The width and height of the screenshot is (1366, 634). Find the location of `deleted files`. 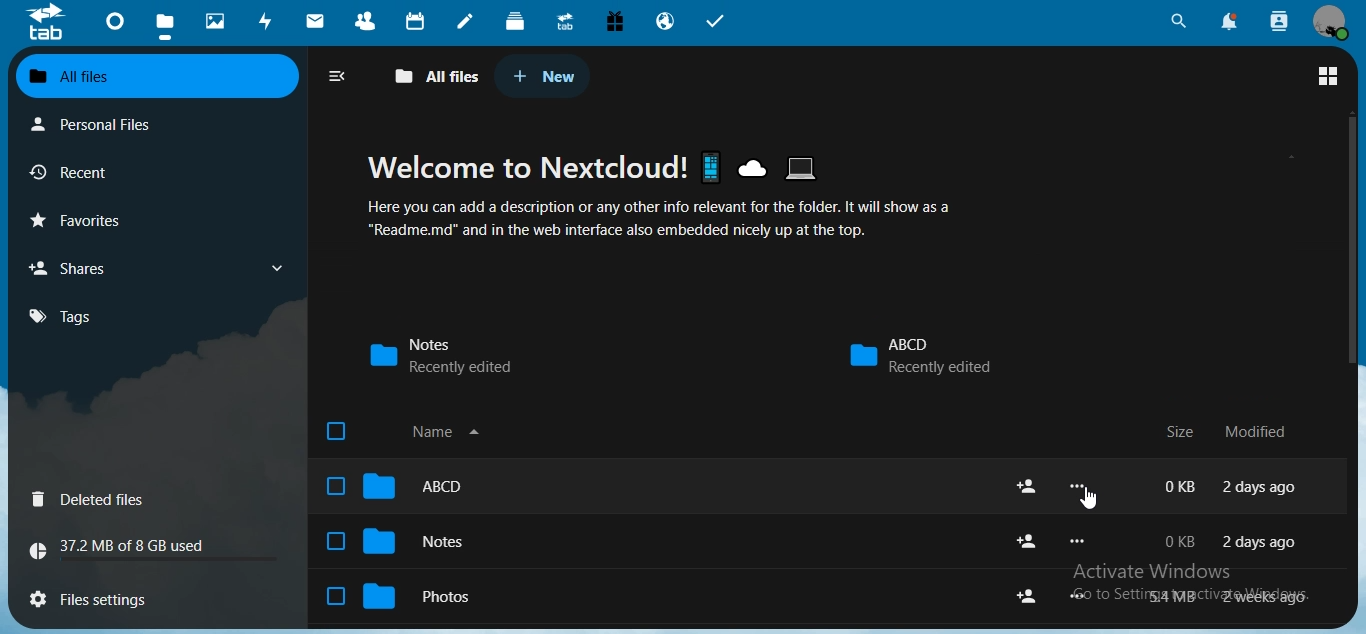

deleted files is located at coordinates (94, 499).